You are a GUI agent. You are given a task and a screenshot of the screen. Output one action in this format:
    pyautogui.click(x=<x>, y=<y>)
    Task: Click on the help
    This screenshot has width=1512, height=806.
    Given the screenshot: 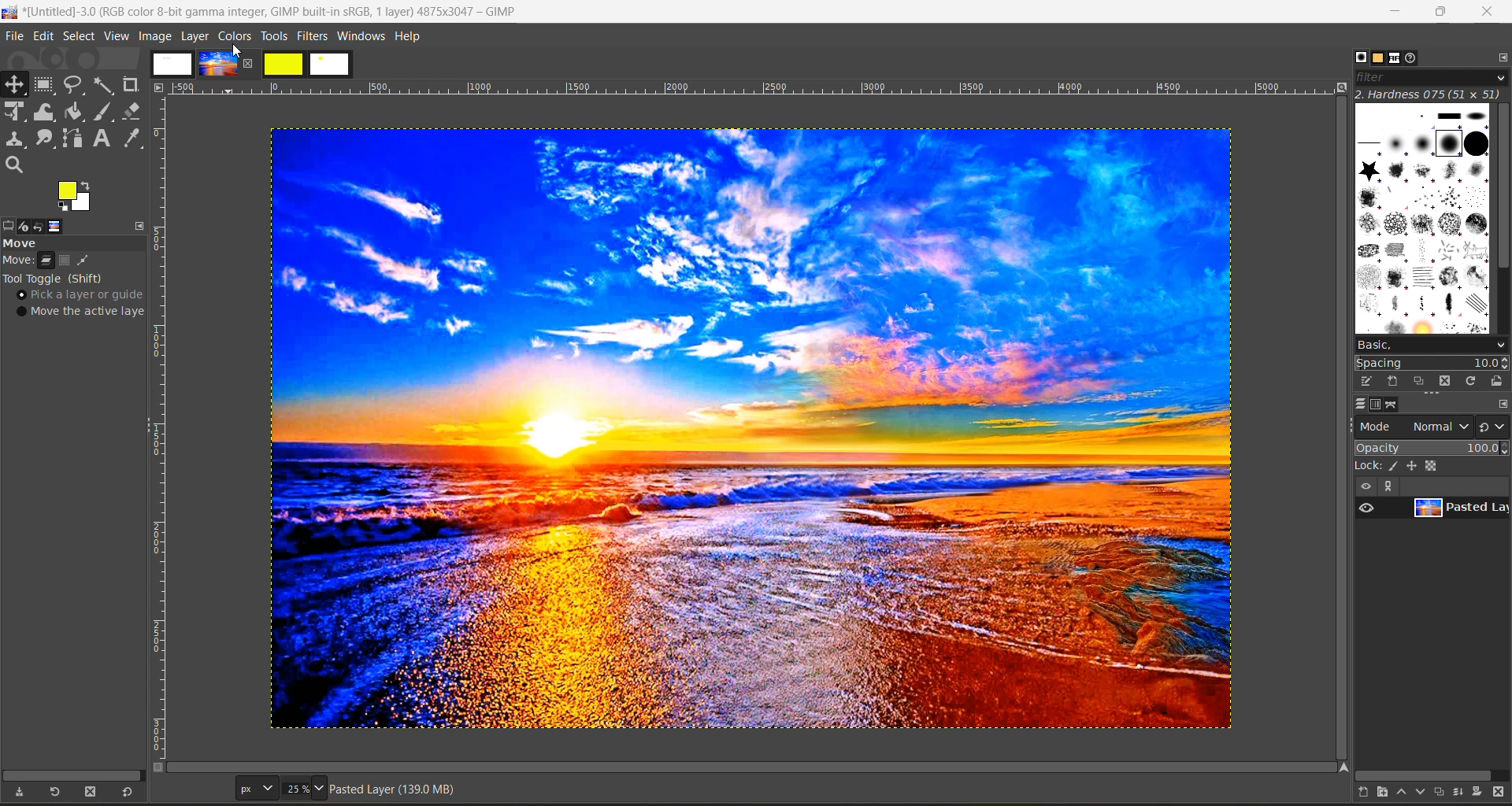 What is the action you would take?
    pyautogui.click(x=410, y=39)
    